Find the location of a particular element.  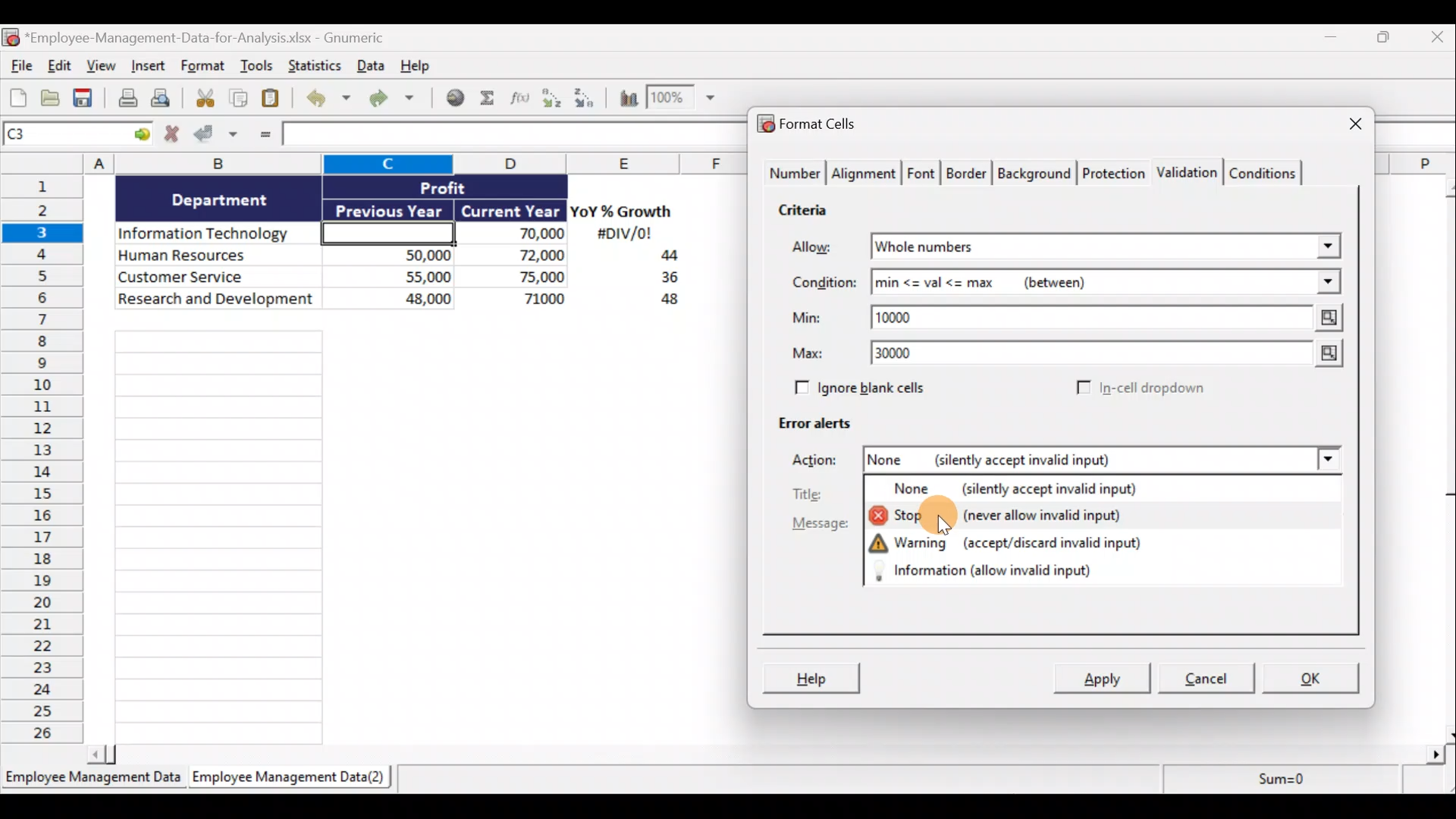

Protection is located at coordinates (1113, 171).